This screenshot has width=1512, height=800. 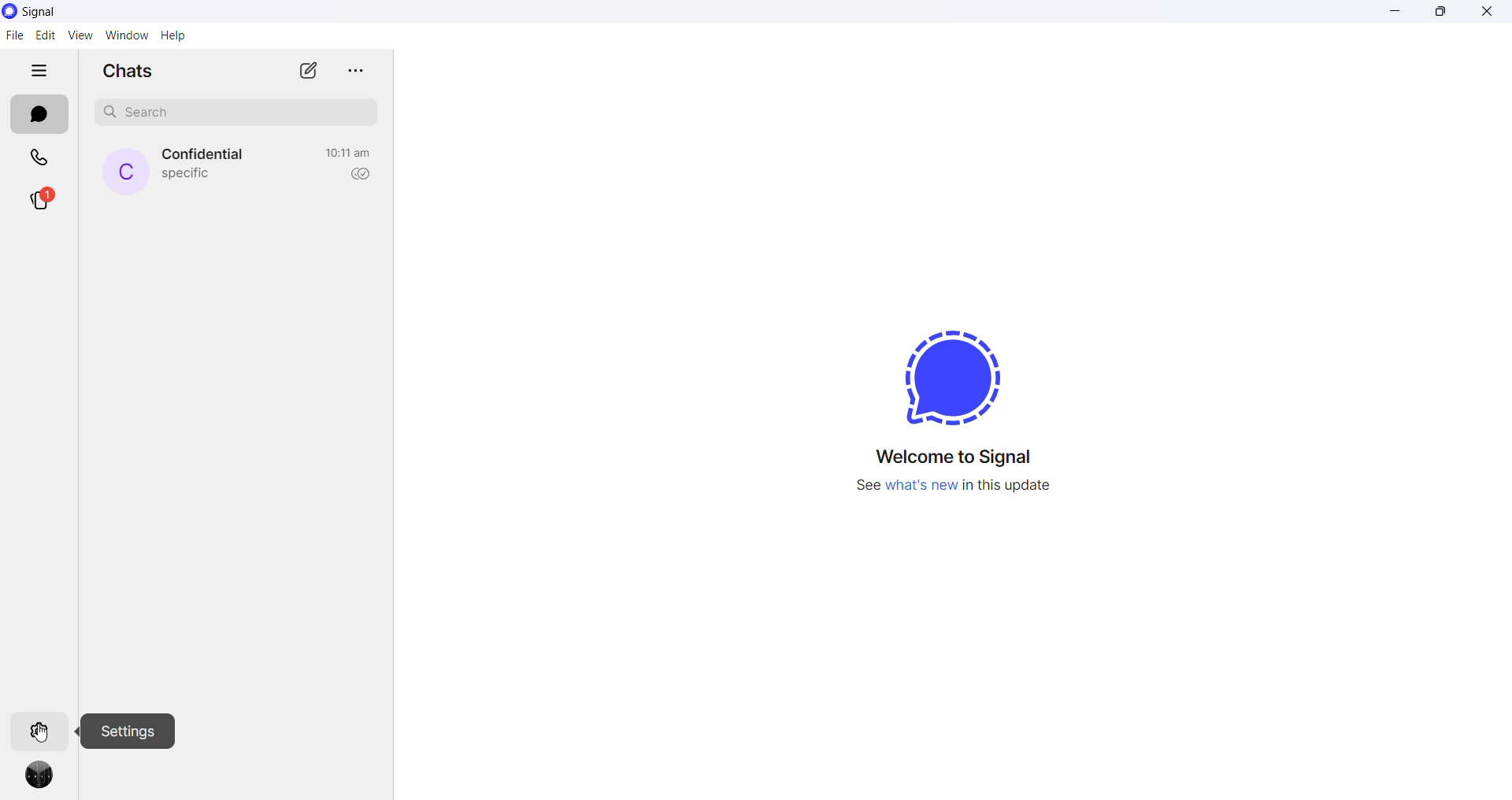 I want to click on , so click(x=135, y=732).